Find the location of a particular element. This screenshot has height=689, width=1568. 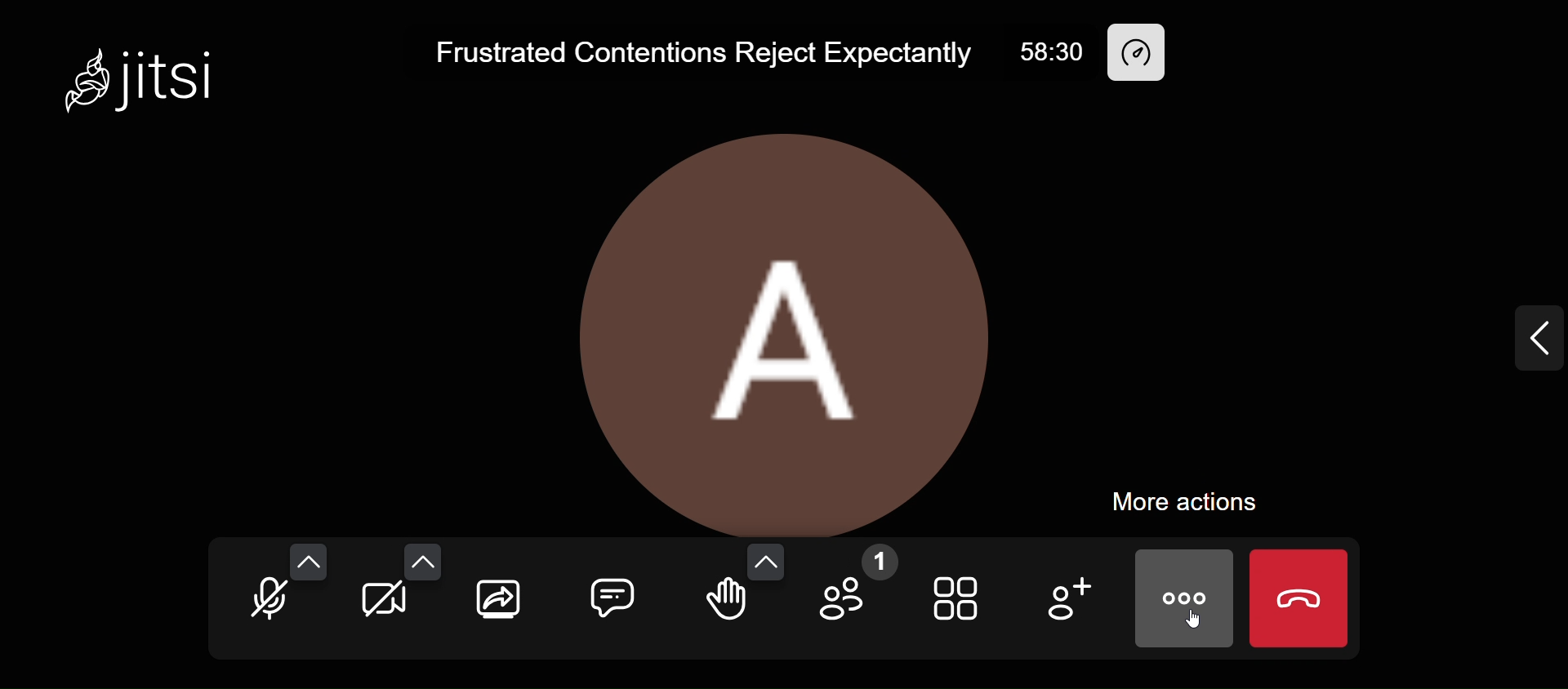

video setting is located at coordinates (425, 562).